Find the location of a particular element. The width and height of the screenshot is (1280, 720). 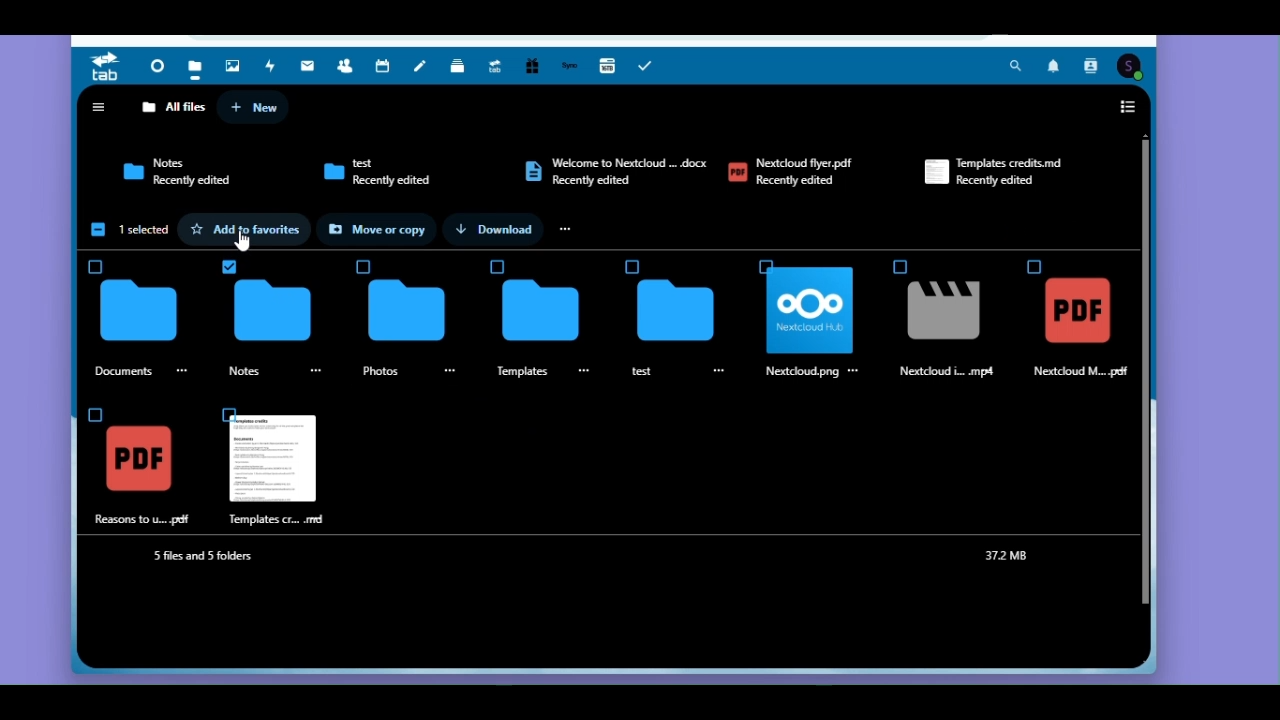

Ellipsis is located at coordinates (584, 369).